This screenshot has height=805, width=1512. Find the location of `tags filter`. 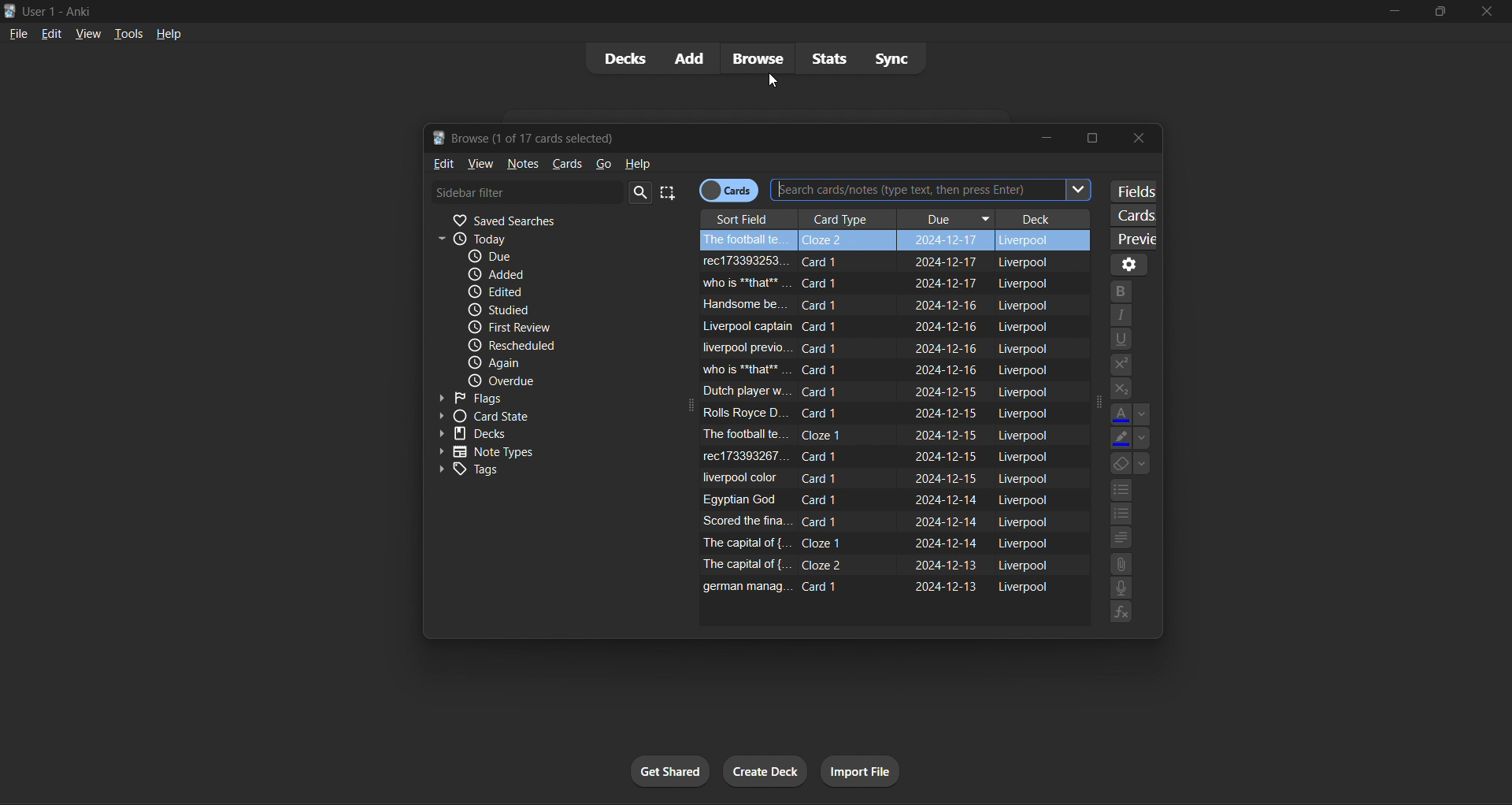

tags filter is located at coordinates (534, 469).